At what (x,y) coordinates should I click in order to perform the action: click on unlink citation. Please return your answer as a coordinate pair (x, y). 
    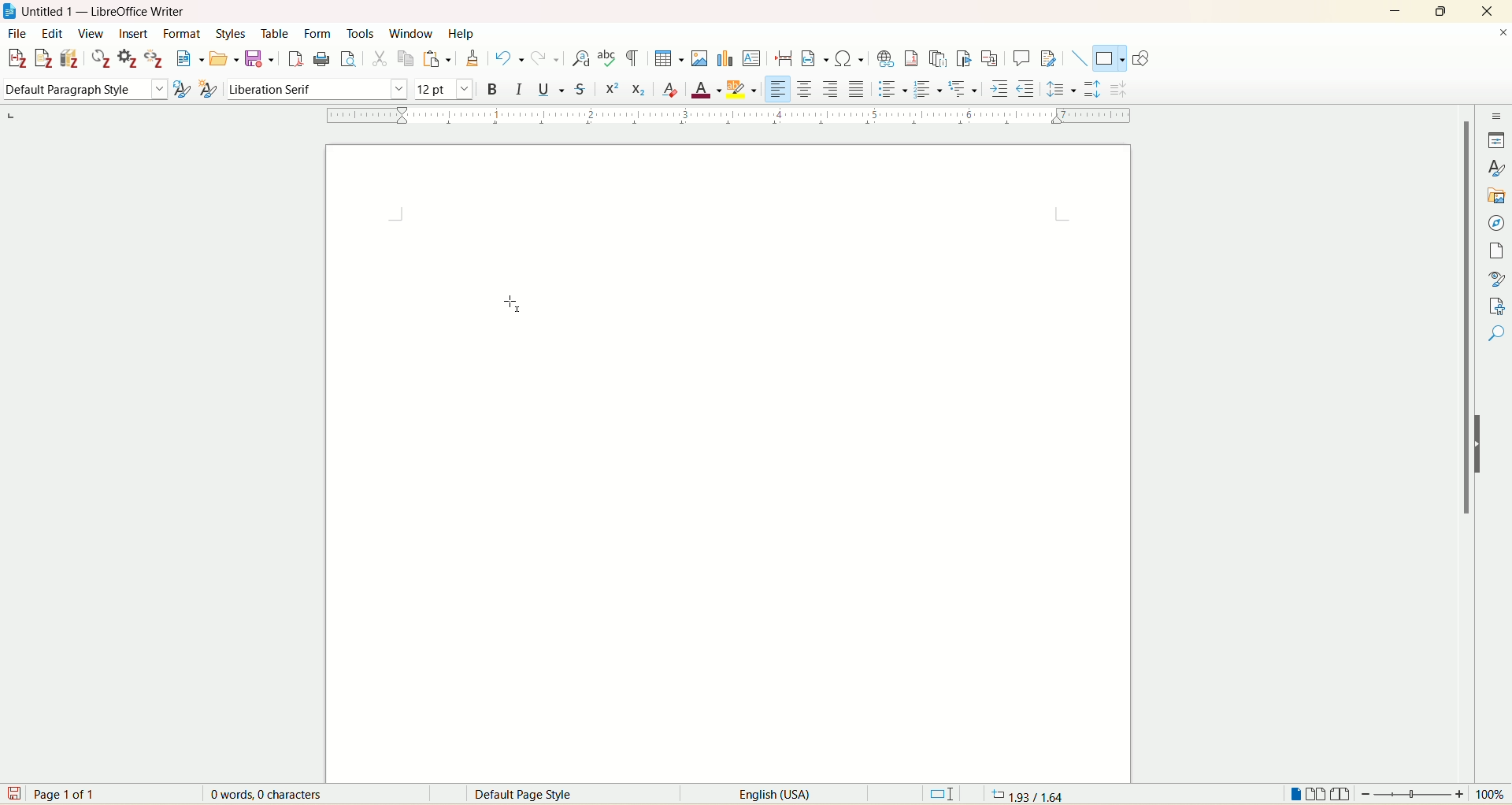
    Looking at the image, I should click on (155, 58).